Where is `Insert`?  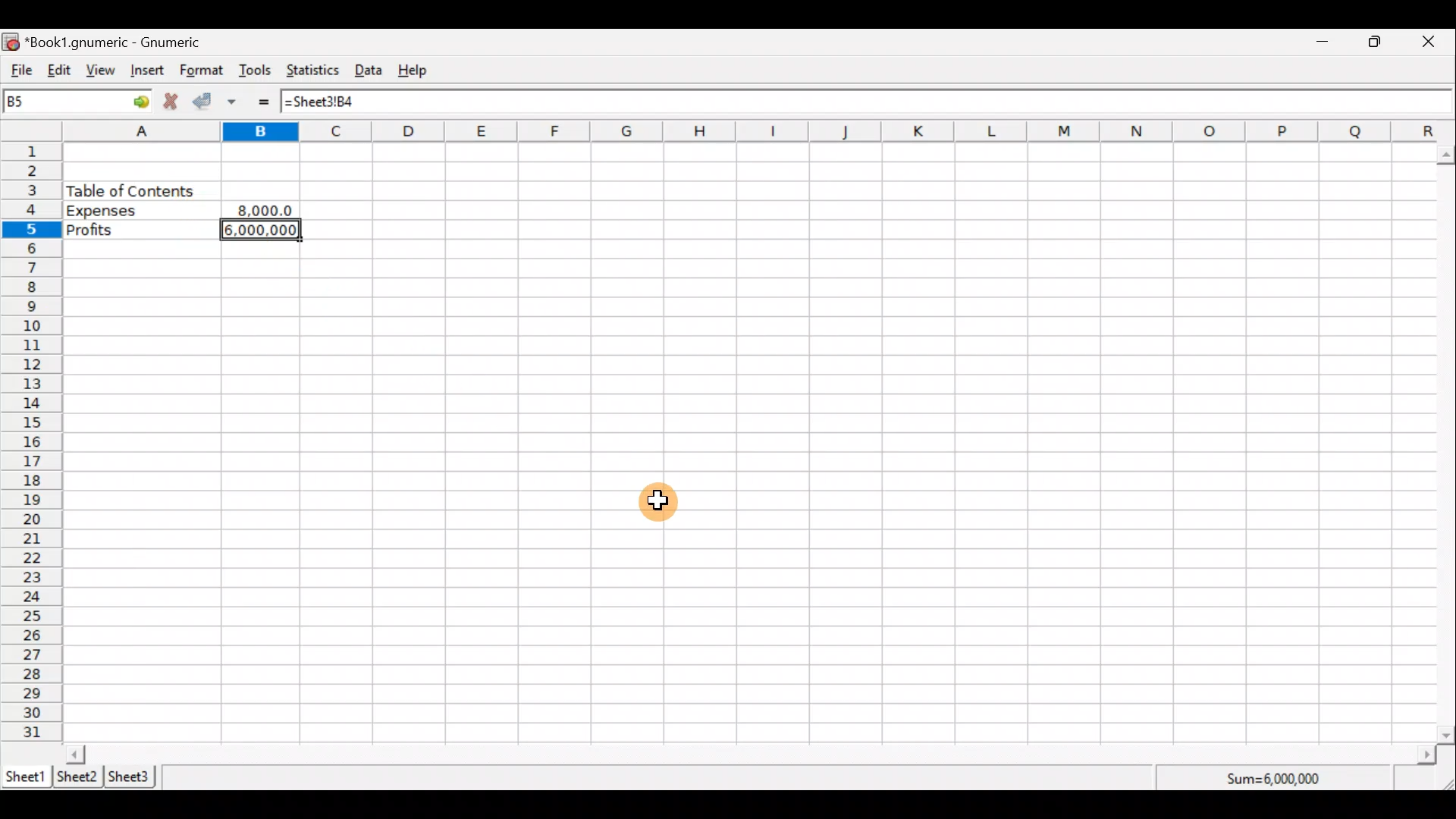
Insert is located at coordinates (150, 72).